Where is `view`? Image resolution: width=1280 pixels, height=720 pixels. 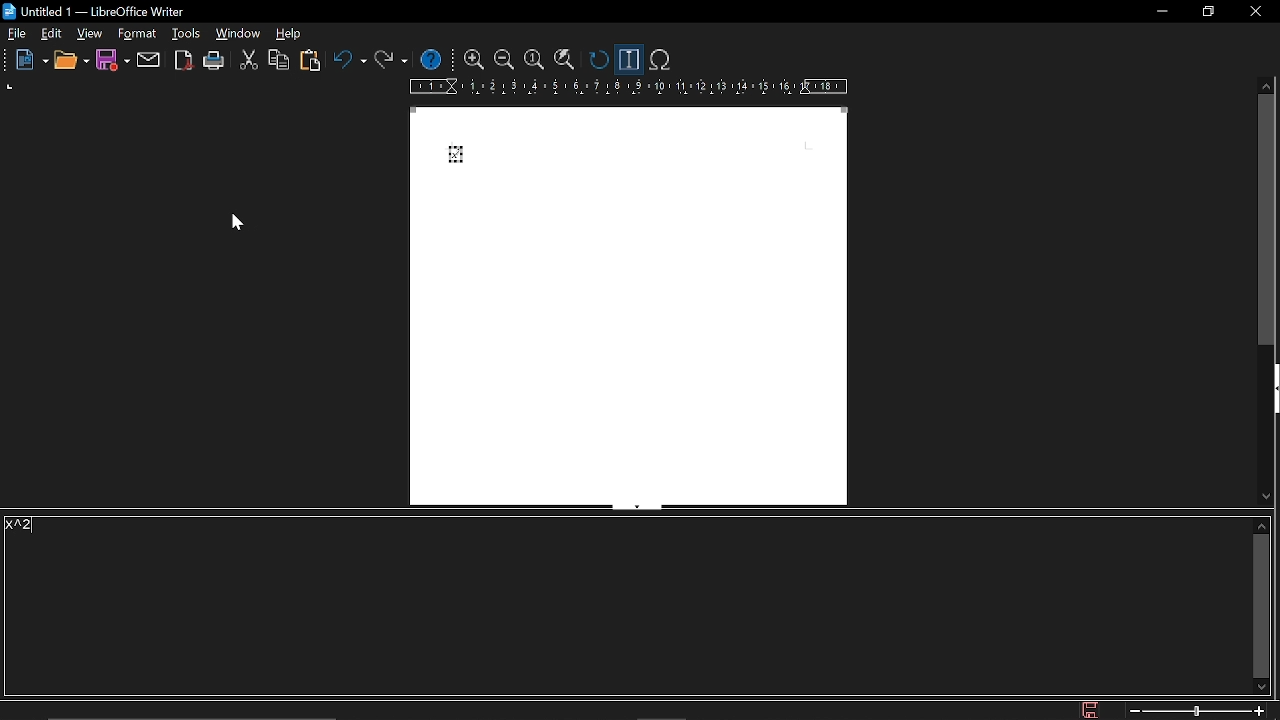 view is located at coordinates (89, 36).